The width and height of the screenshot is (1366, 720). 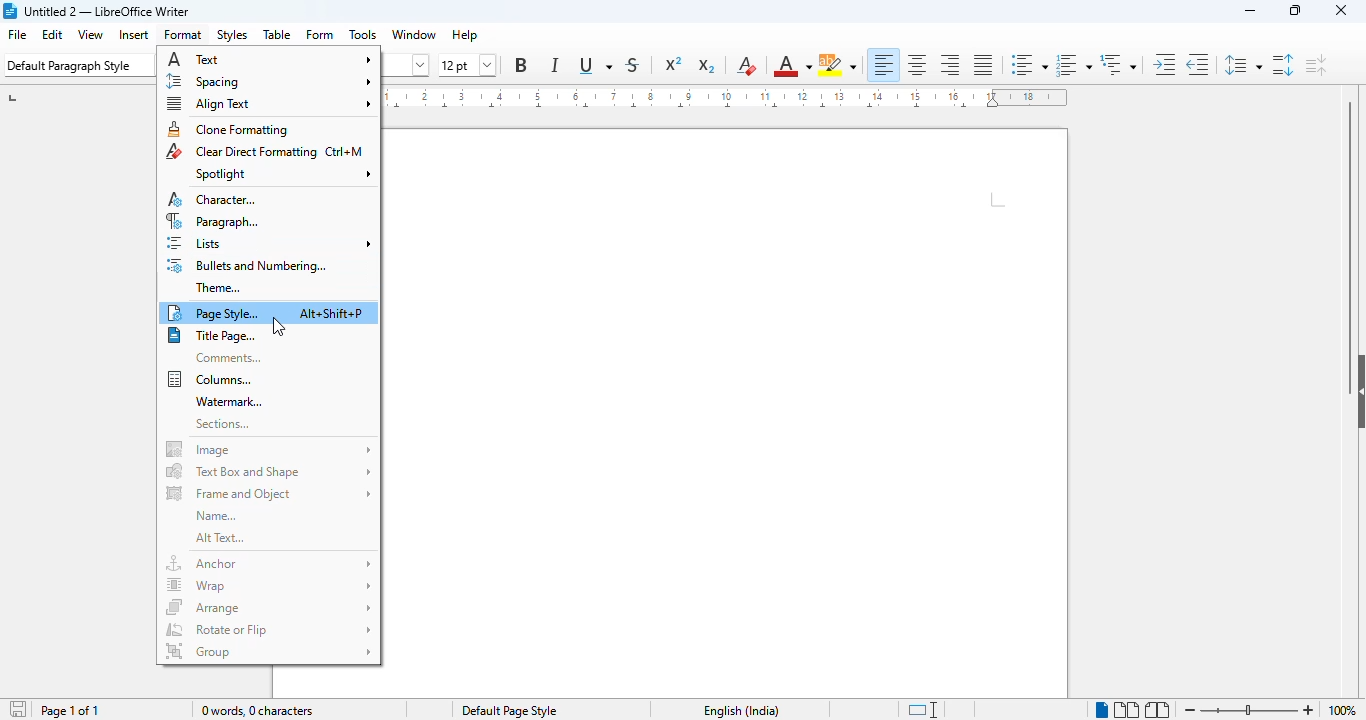 What do you see at coordinates (1357, 392) in the screenshot?
I see `show` at bounding box center [1357, 392].